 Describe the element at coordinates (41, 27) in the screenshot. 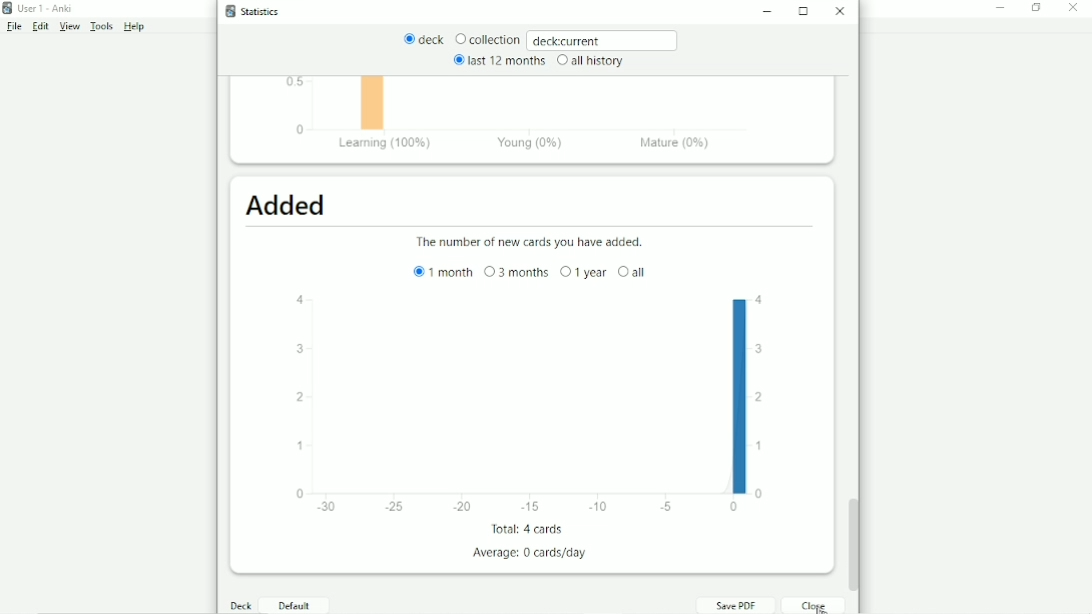

I see `Edit` at that location.